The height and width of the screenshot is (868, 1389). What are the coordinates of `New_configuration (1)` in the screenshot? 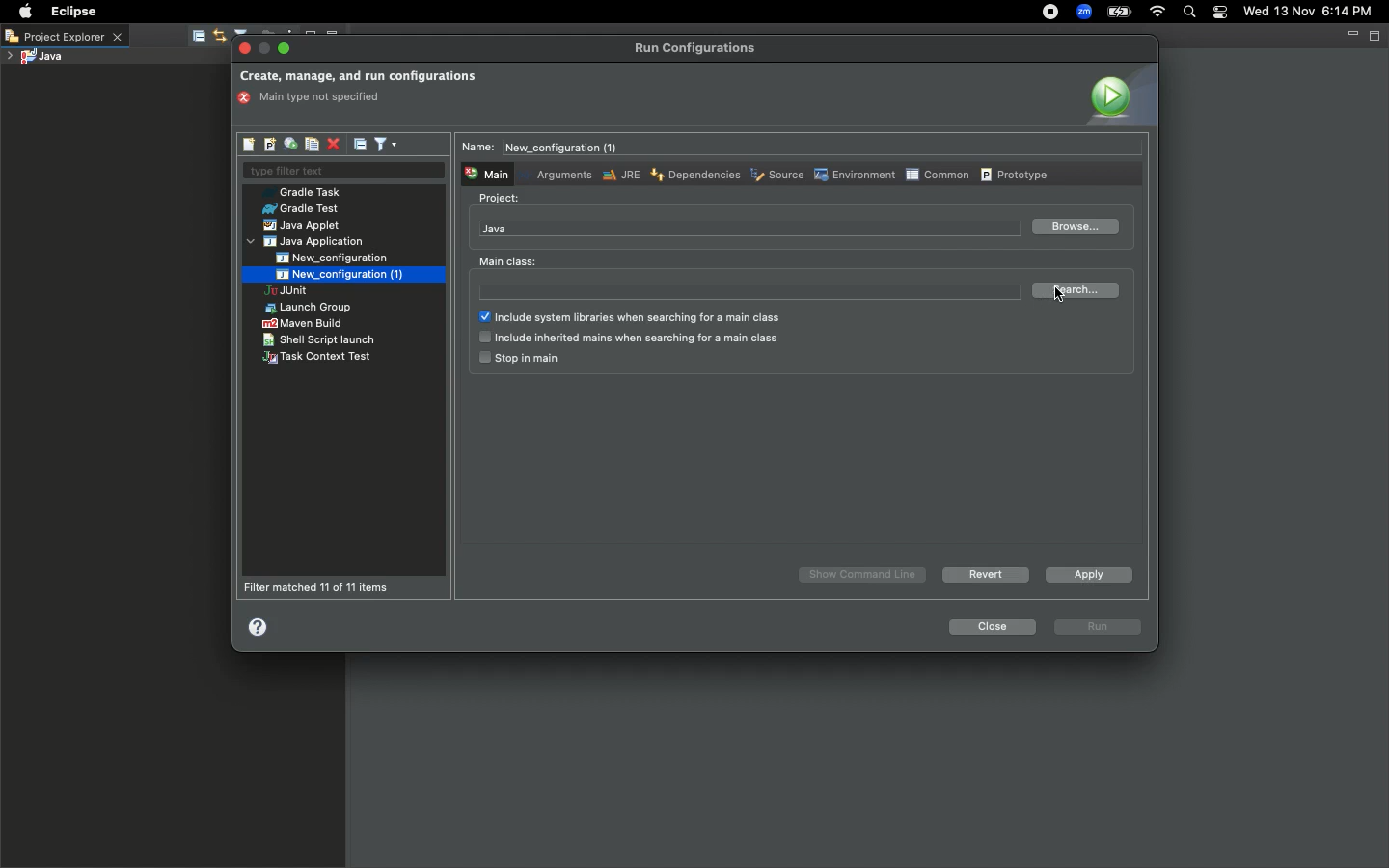 It's located at (337, 274).